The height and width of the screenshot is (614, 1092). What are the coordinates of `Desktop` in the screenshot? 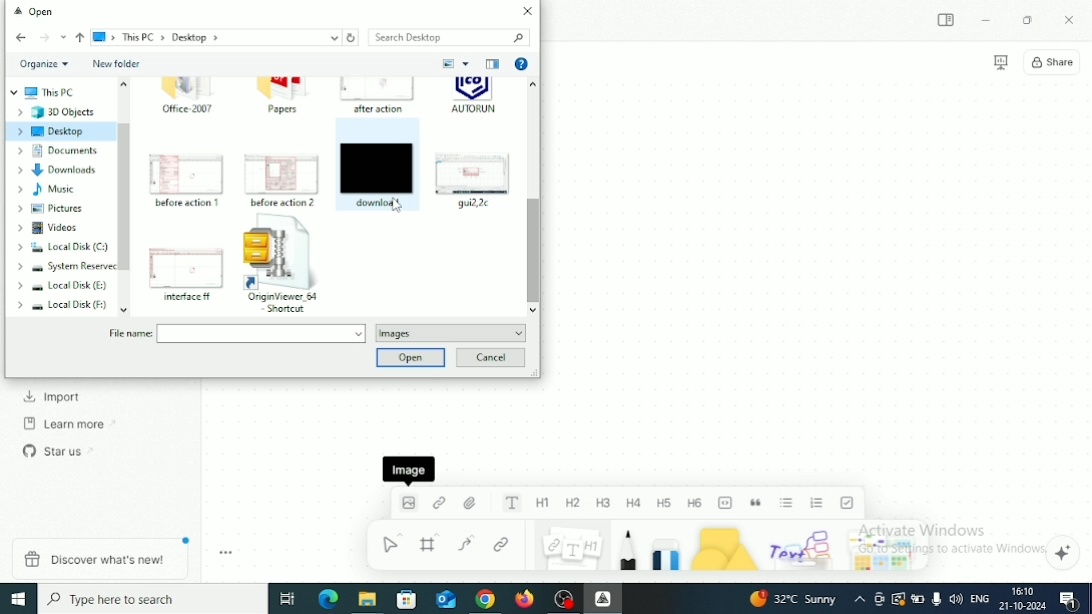 It's located at (61, 132).